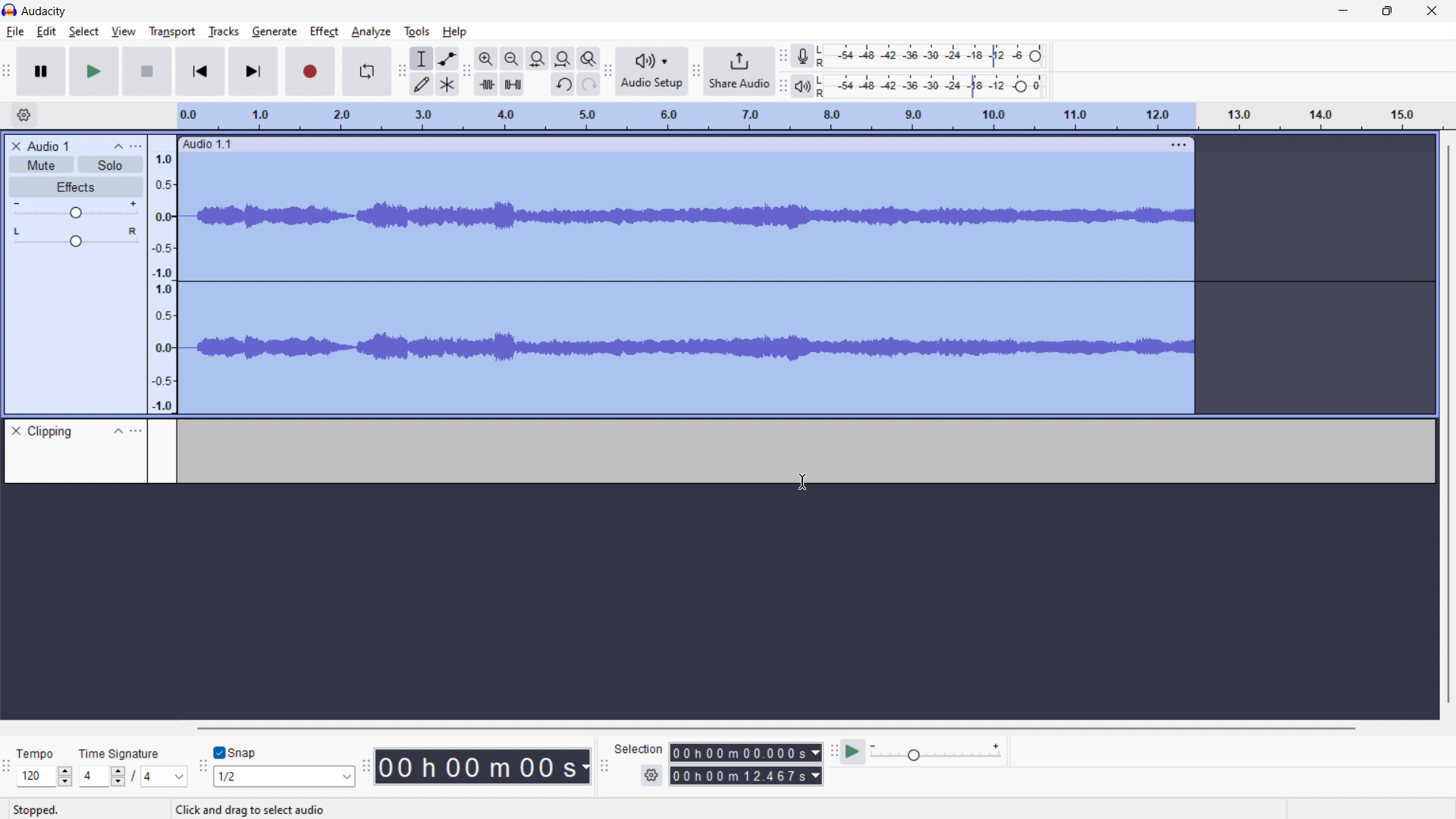  Describe the element at coordinates (366, 71) in the screenshot. I see `enable looping` at that location.